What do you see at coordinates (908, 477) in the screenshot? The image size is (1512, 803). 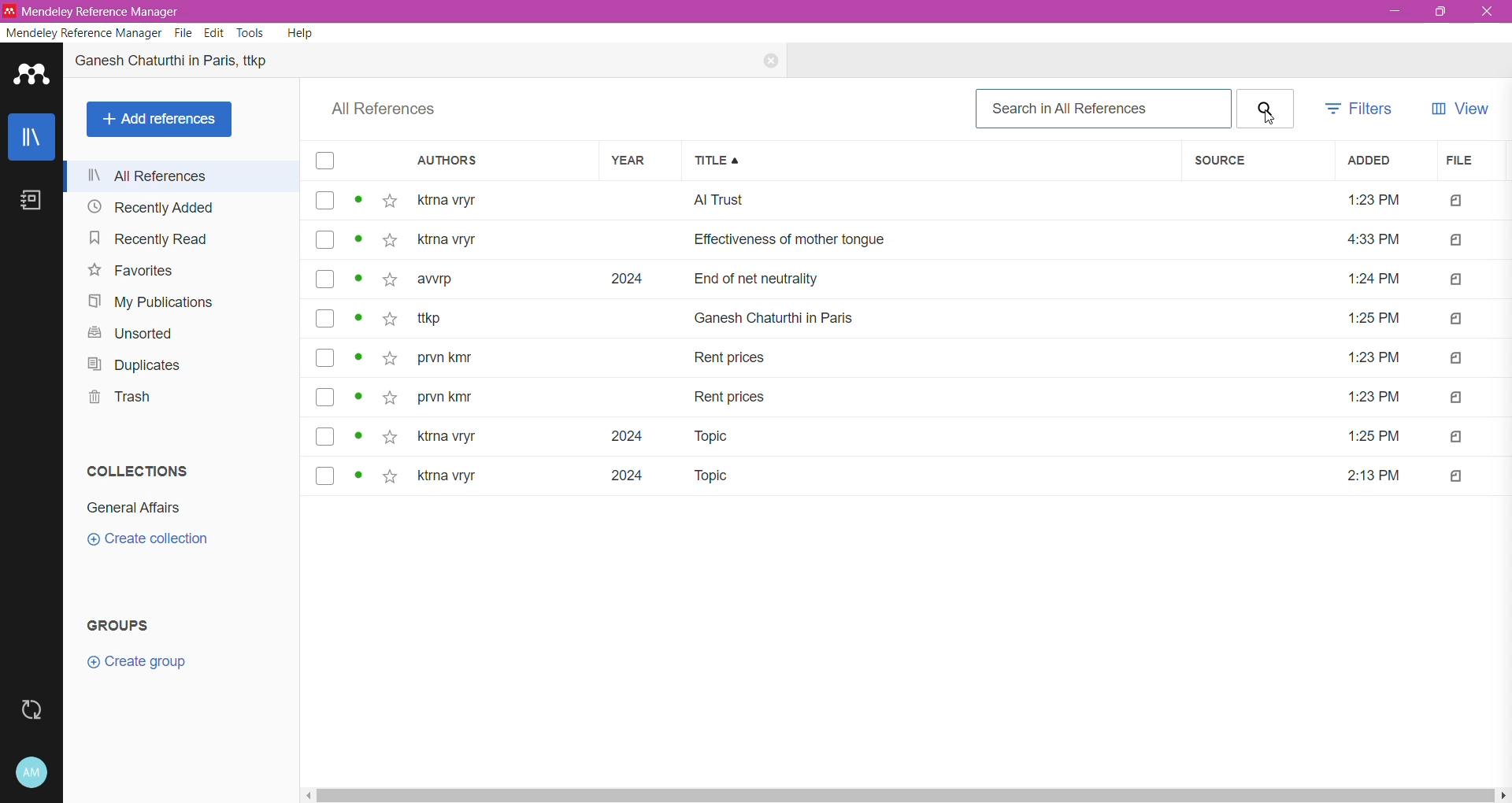 I see `¢  kirna vryr 2024 Topic 2:13PM` at bounding box center [908, 477].